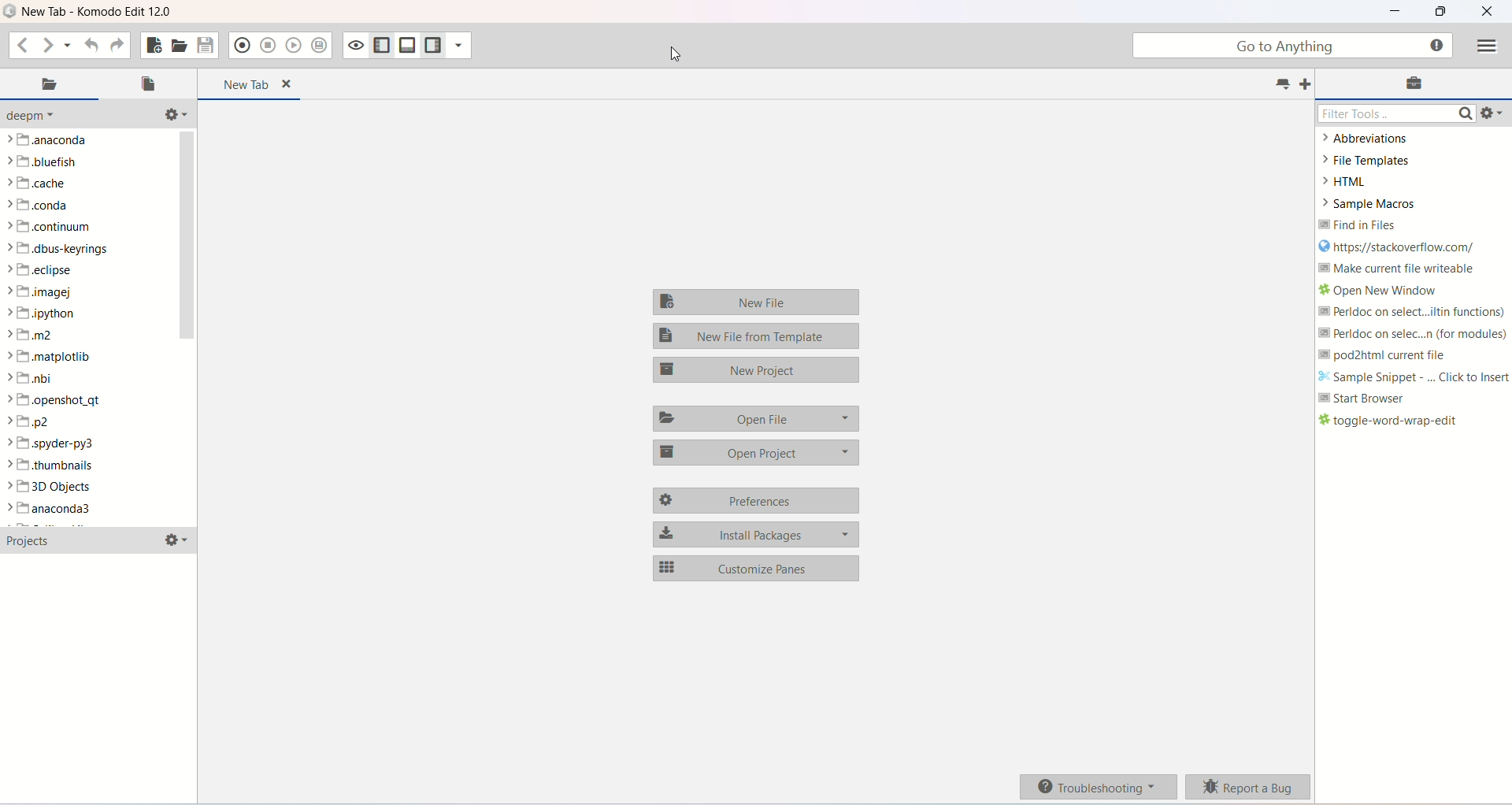  What do you see at coordinates (32, 334) in the screenshot?
I see `m2` at bounding box center [32, 334].